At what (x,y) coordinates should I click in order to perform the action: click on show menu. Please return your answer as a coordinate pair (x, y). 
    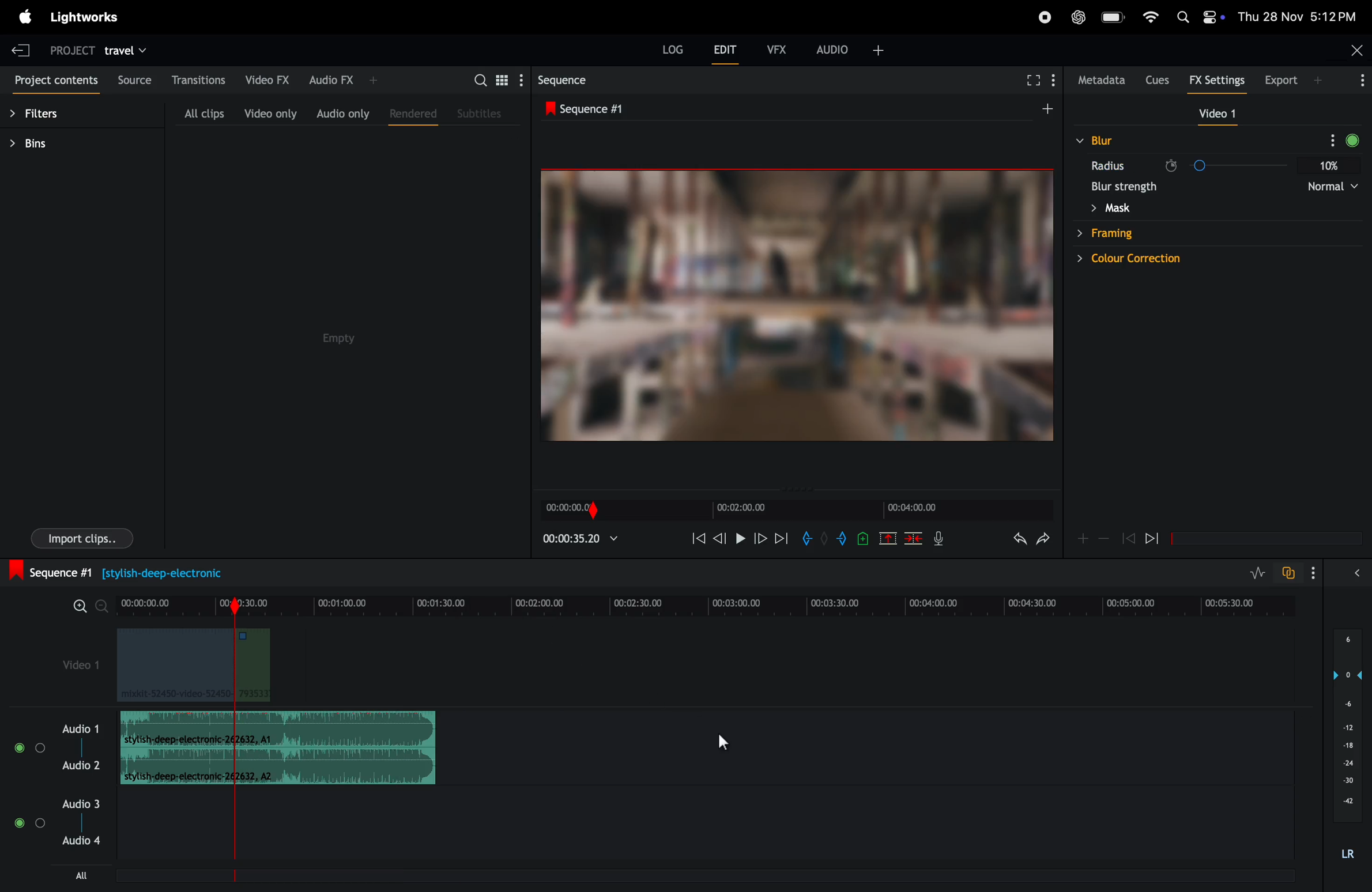
    Looking at the image, I should click on (1051, 81).